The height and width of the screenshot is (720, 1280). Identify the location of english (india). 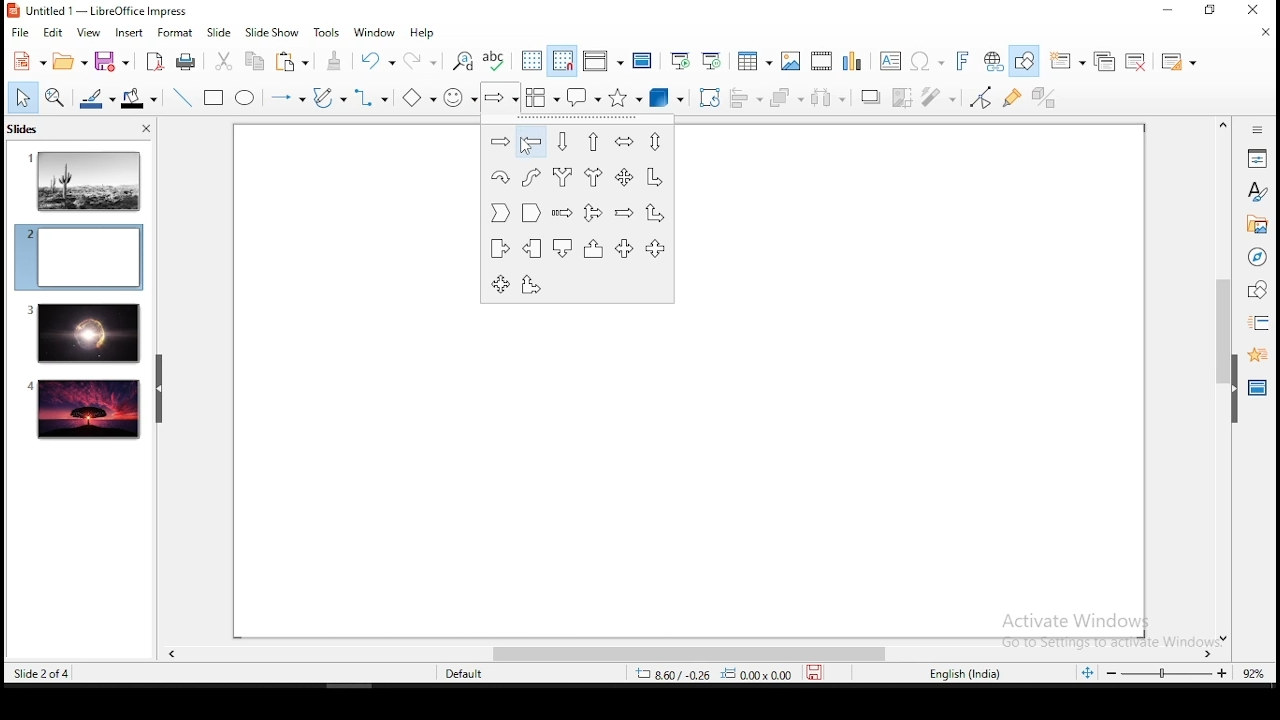
(967, 675).